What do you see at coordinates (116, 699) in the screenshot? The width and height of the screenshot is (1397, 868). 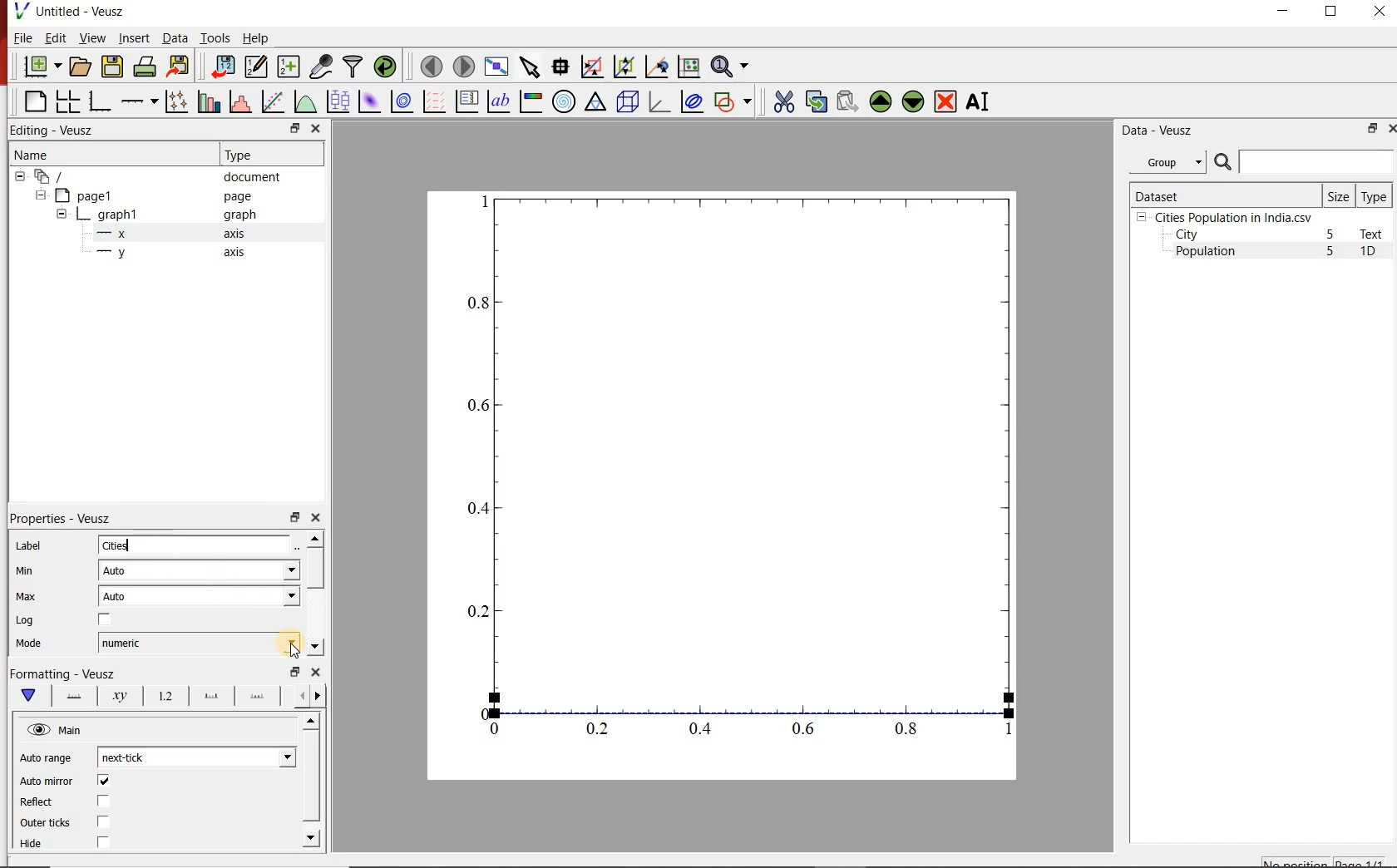 I see `Axis Label` at bounding box center [116, 699].